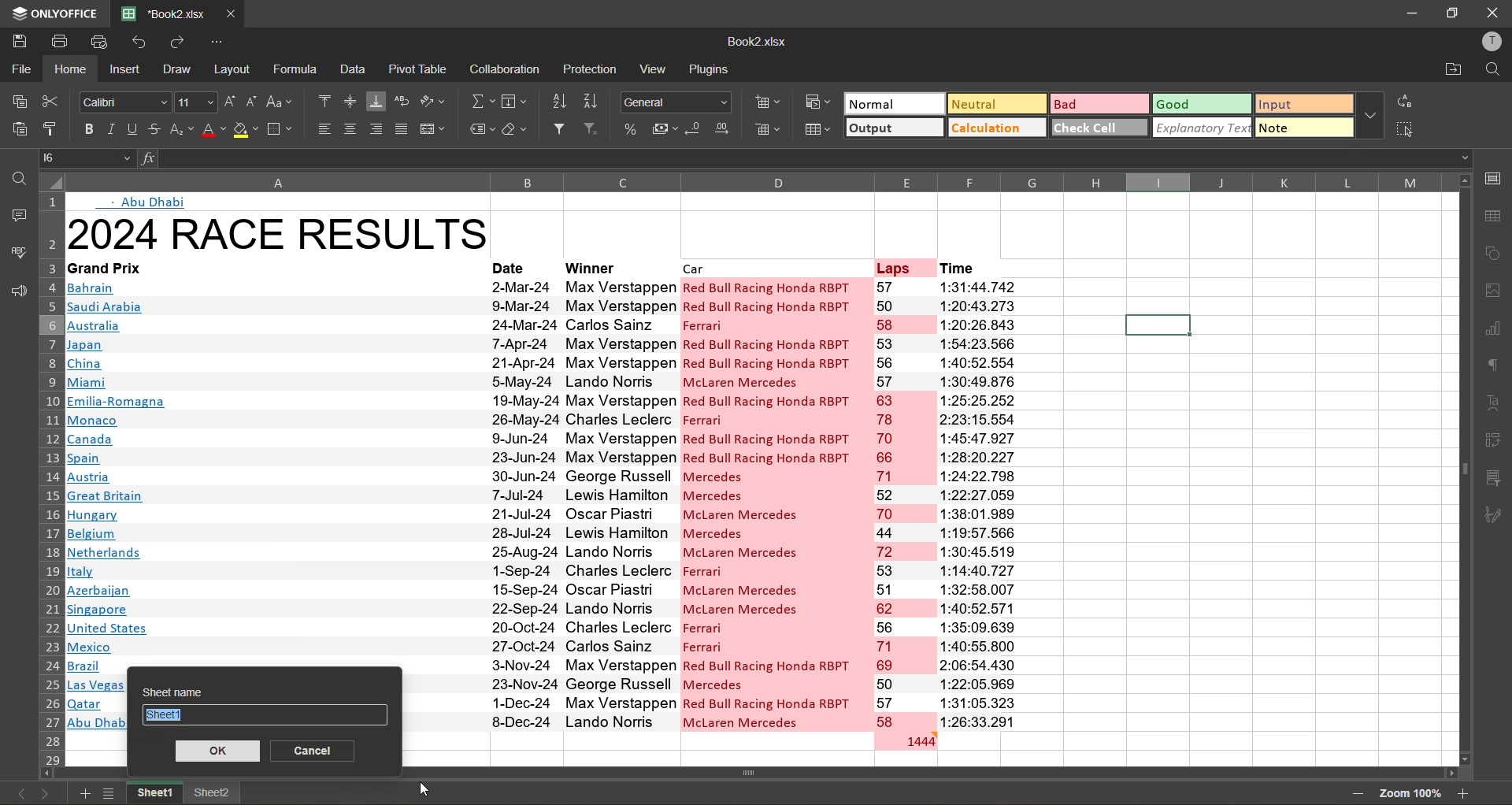 This screenshot has width=1512, height=805. What do you see at coordinates (17, 793) in the screenshot?
I see `previous` at bounding box center [17, 793].